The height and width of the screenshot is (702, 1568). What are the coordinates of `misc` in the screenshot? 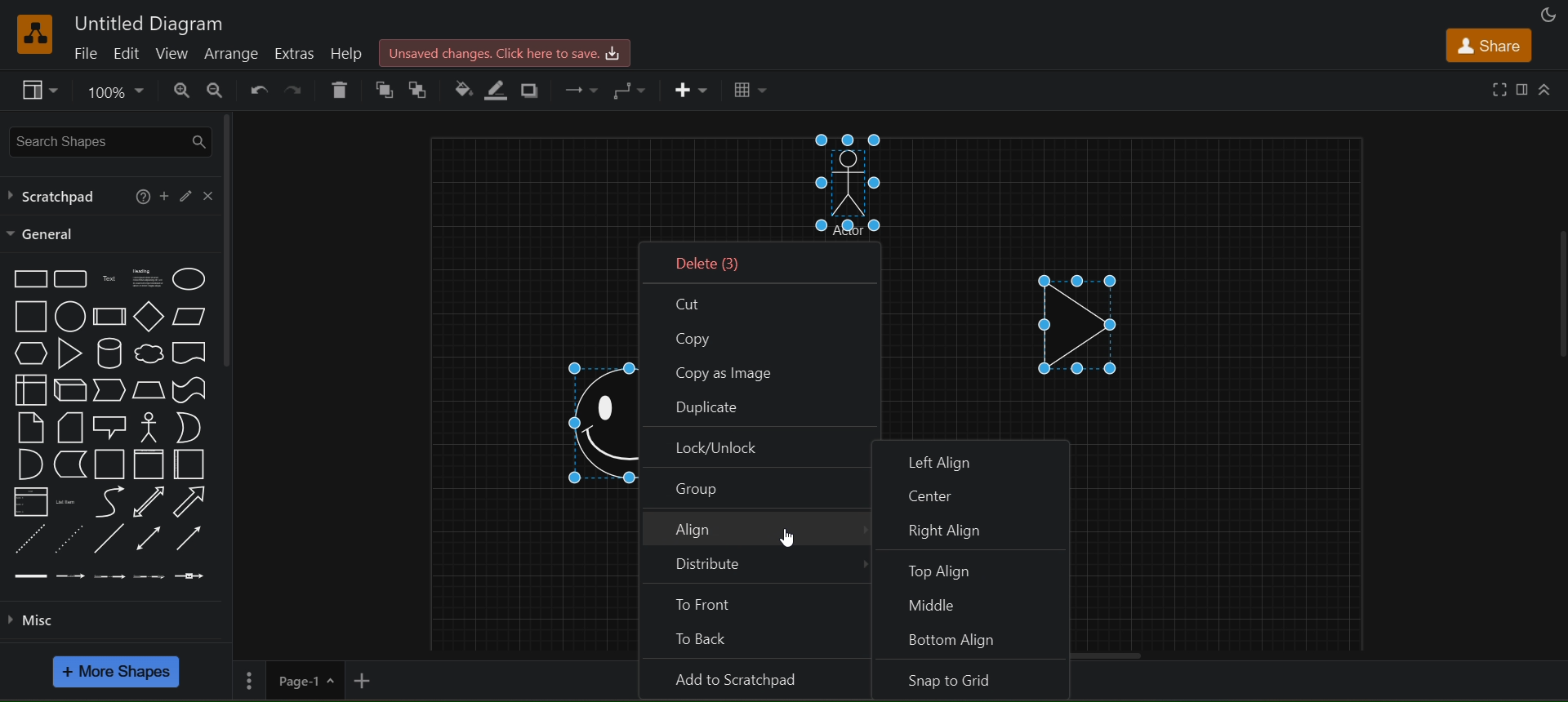 It's located at (35, 619).